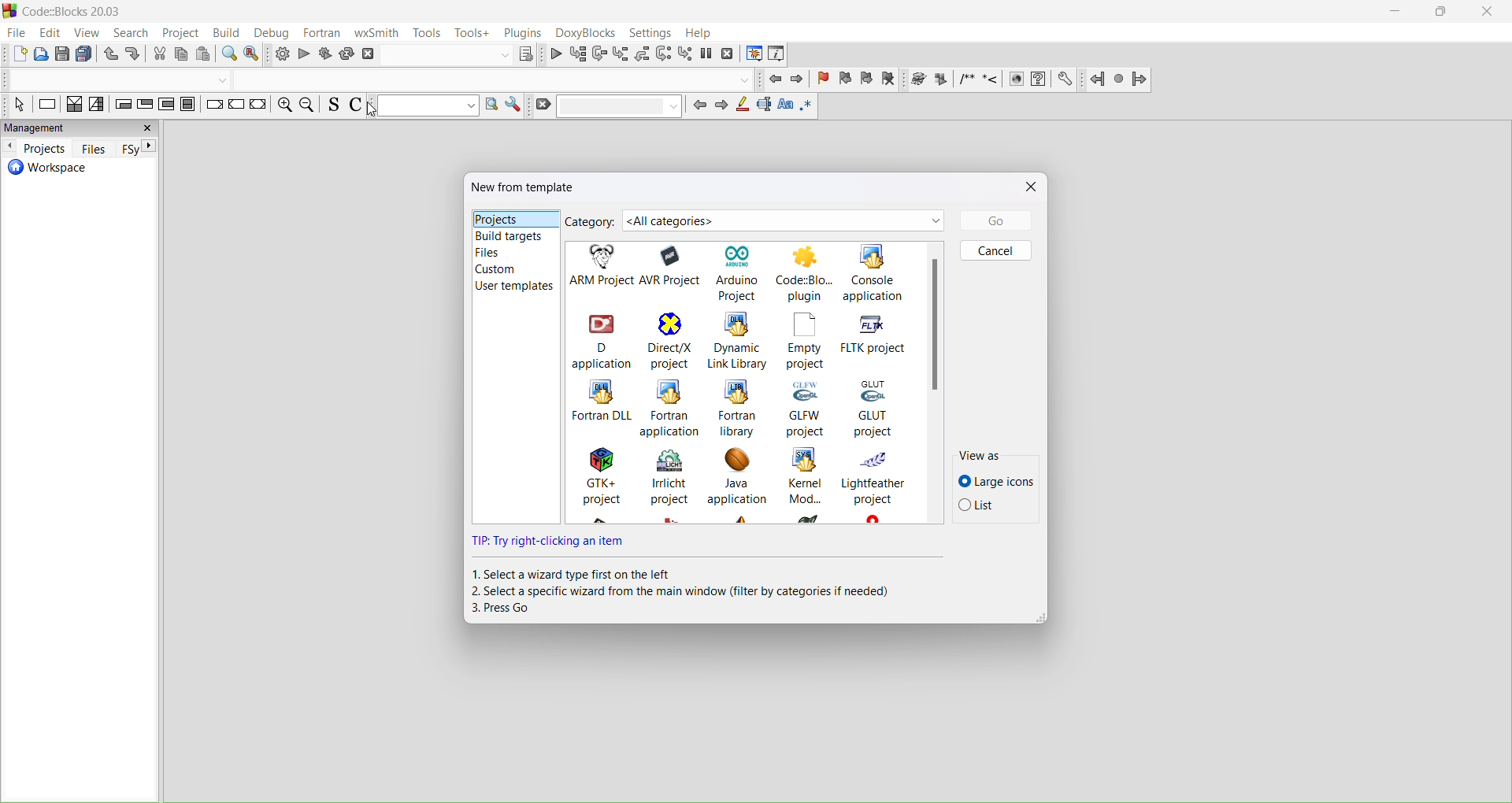  I want to click on new from template, so click(524, 188).